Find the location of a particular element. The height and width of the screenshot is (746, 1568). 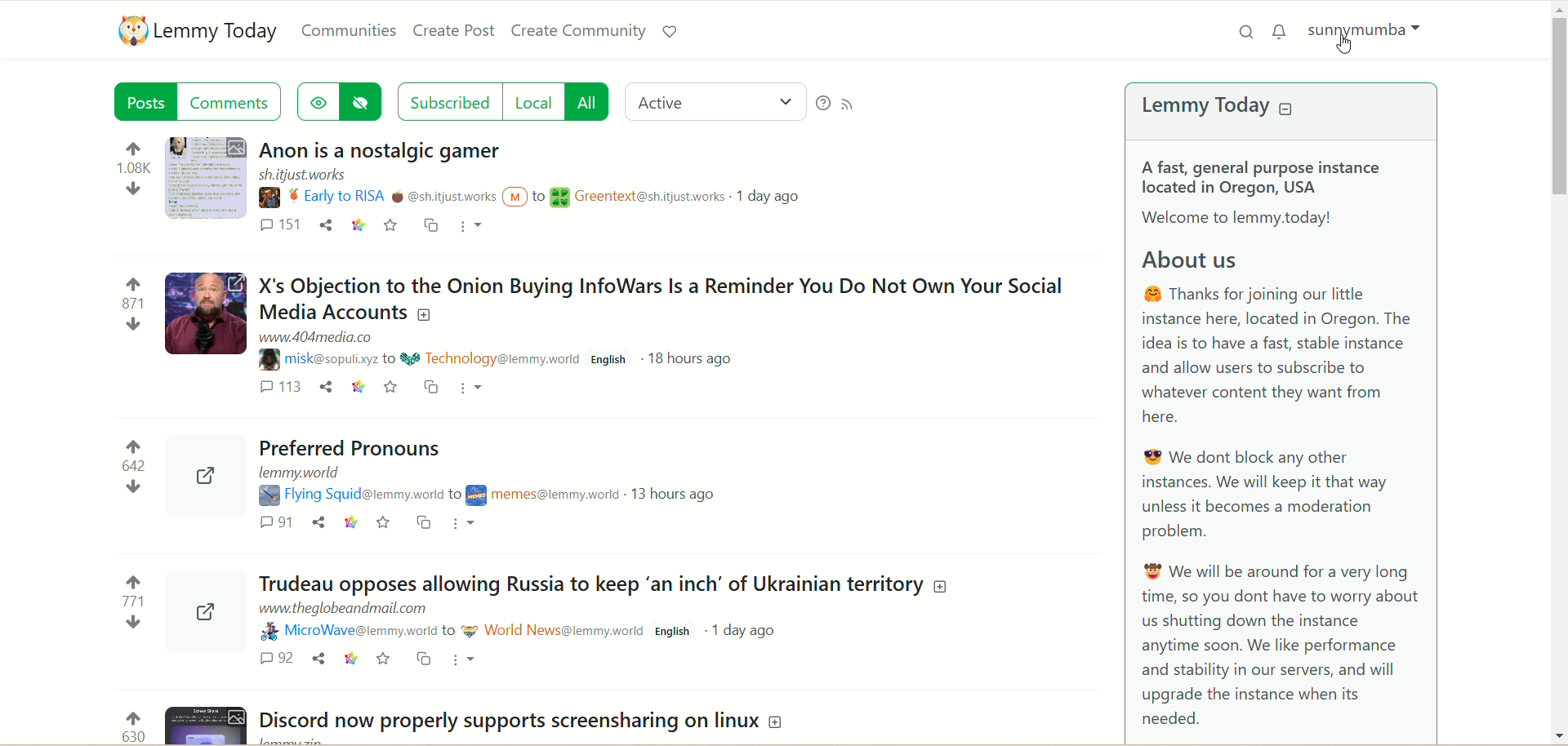

A brief about Lemmy Today  is located at coordinates (1291, 443).